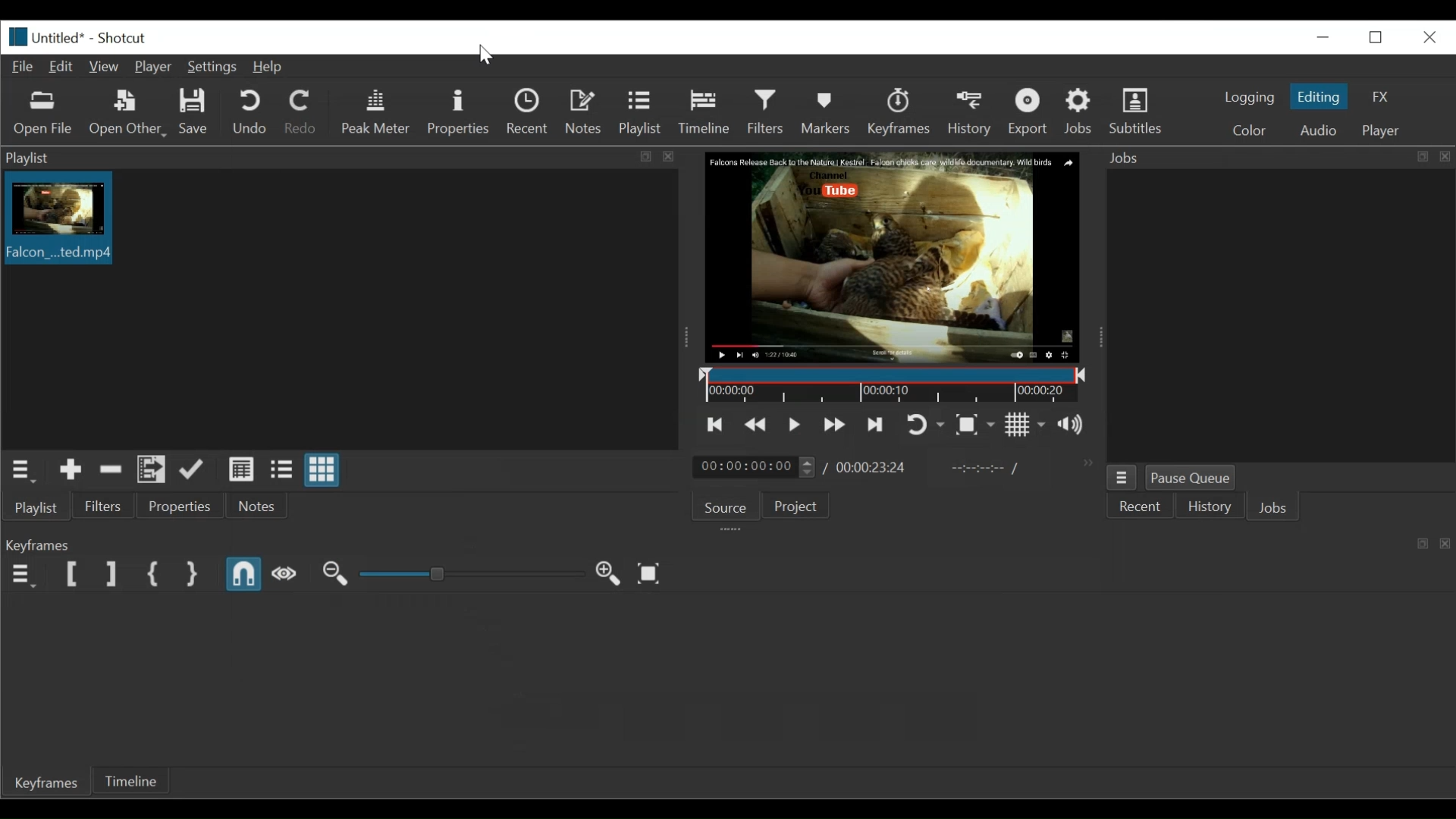 The height and width of the screenshot is (819, 1456). I want to click on Pause Queue, so click(1191, 478).